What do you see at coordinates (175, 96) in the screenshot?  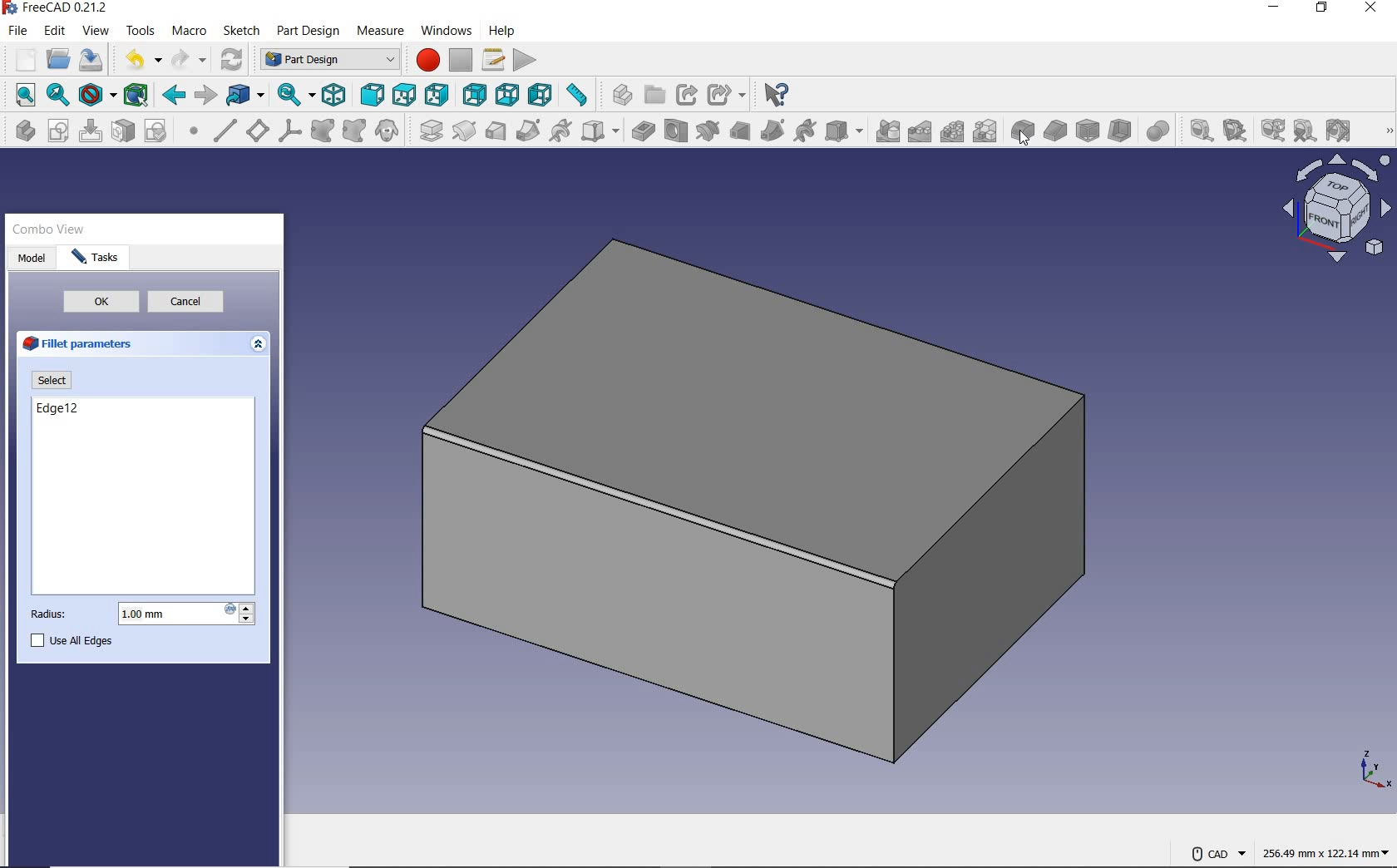 I see `back` at bounding box center [175, 96].